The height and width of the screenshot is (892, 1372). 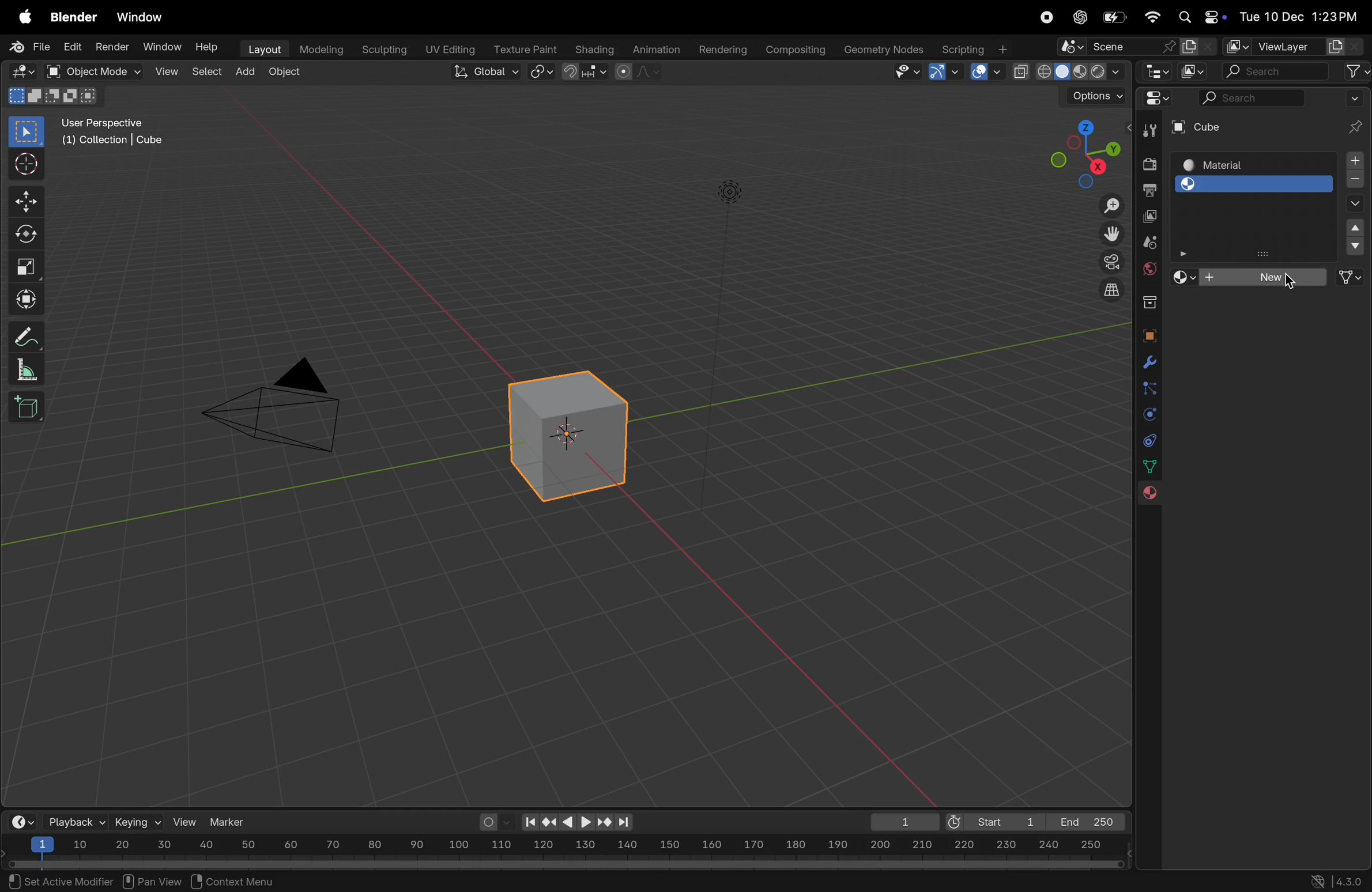 What do you see at coordinates (1194, 71) in the screenshot?
I see `display mode` at bounding box center [1194, 71].